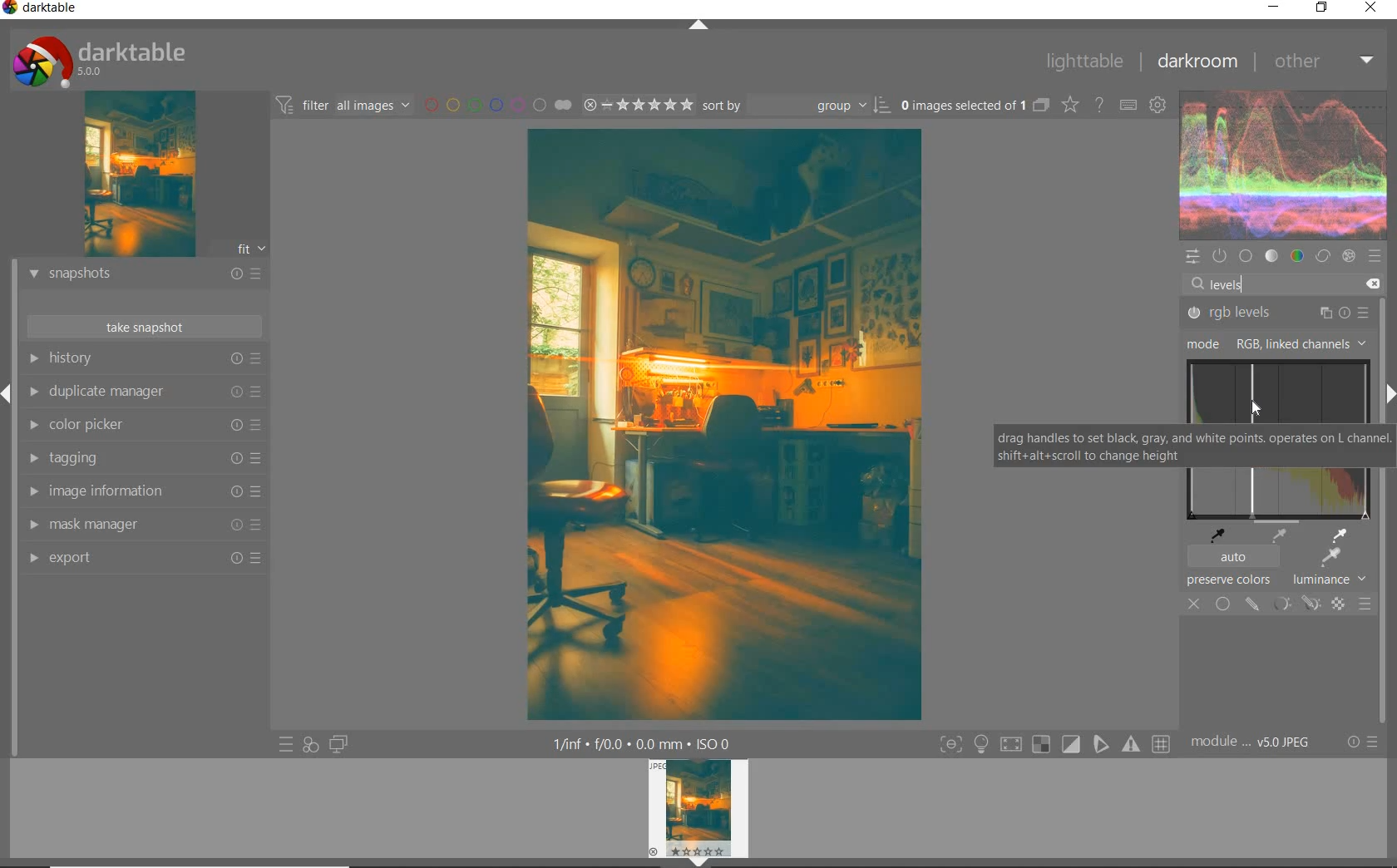  What do you see at coordinates (1374, 284) in the screenshot?
I see `delete` at bounding box center [1374, 284].